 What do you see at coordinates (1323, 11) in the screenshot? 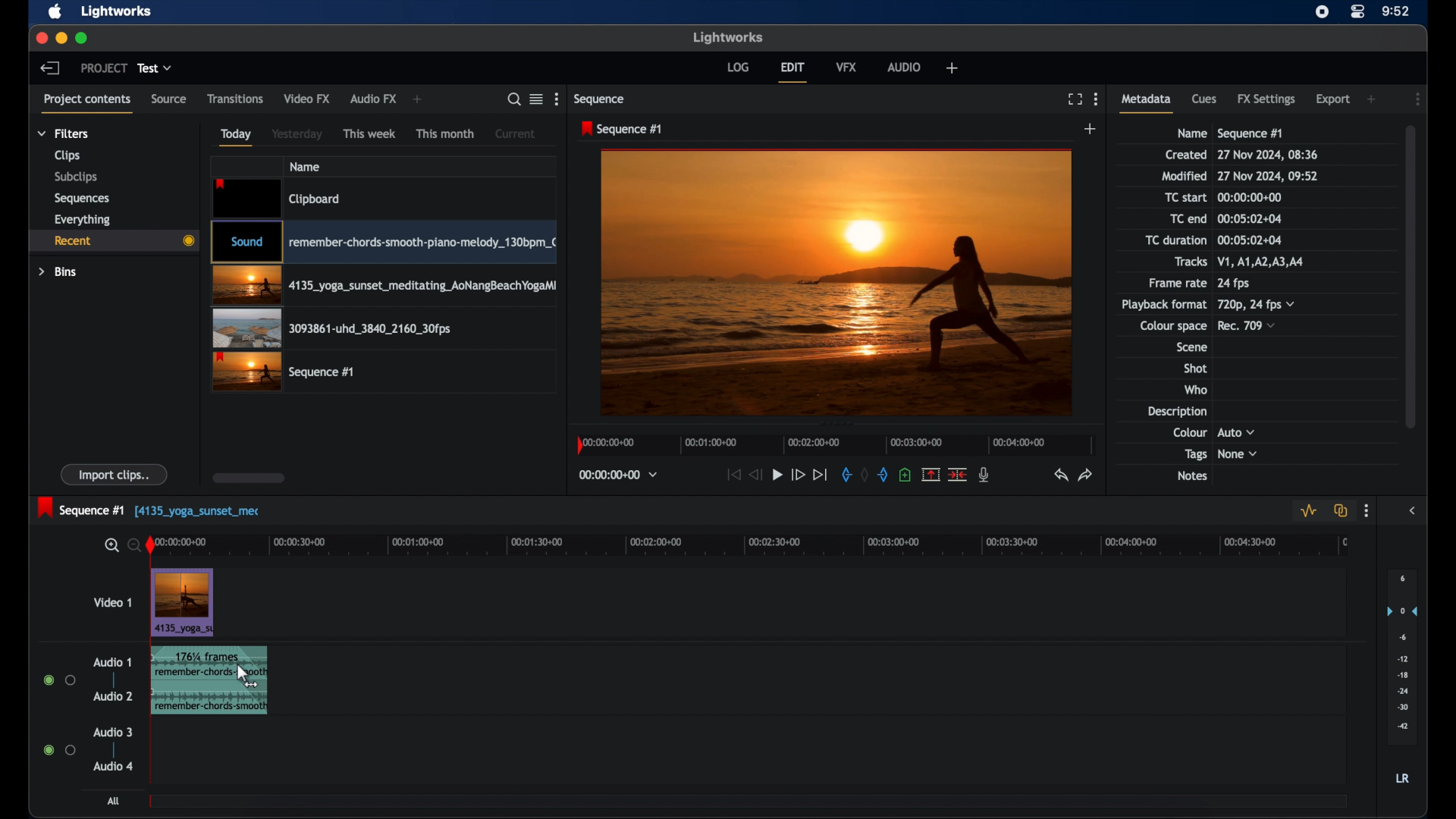
I see `screen recorder icon` at bounding box center [1323, 11].